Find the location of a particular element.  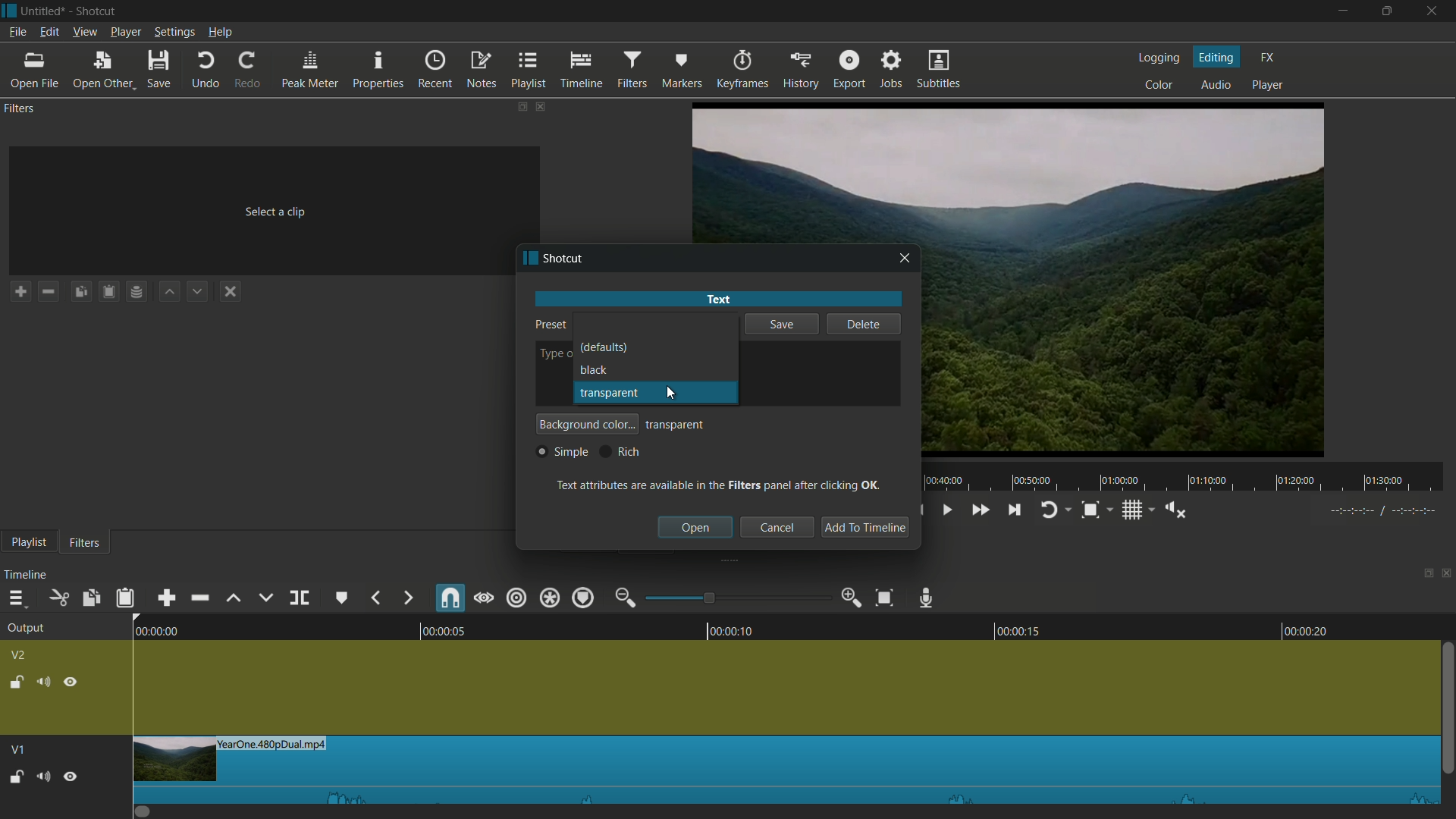

filters is located at coordinates (631, 71).